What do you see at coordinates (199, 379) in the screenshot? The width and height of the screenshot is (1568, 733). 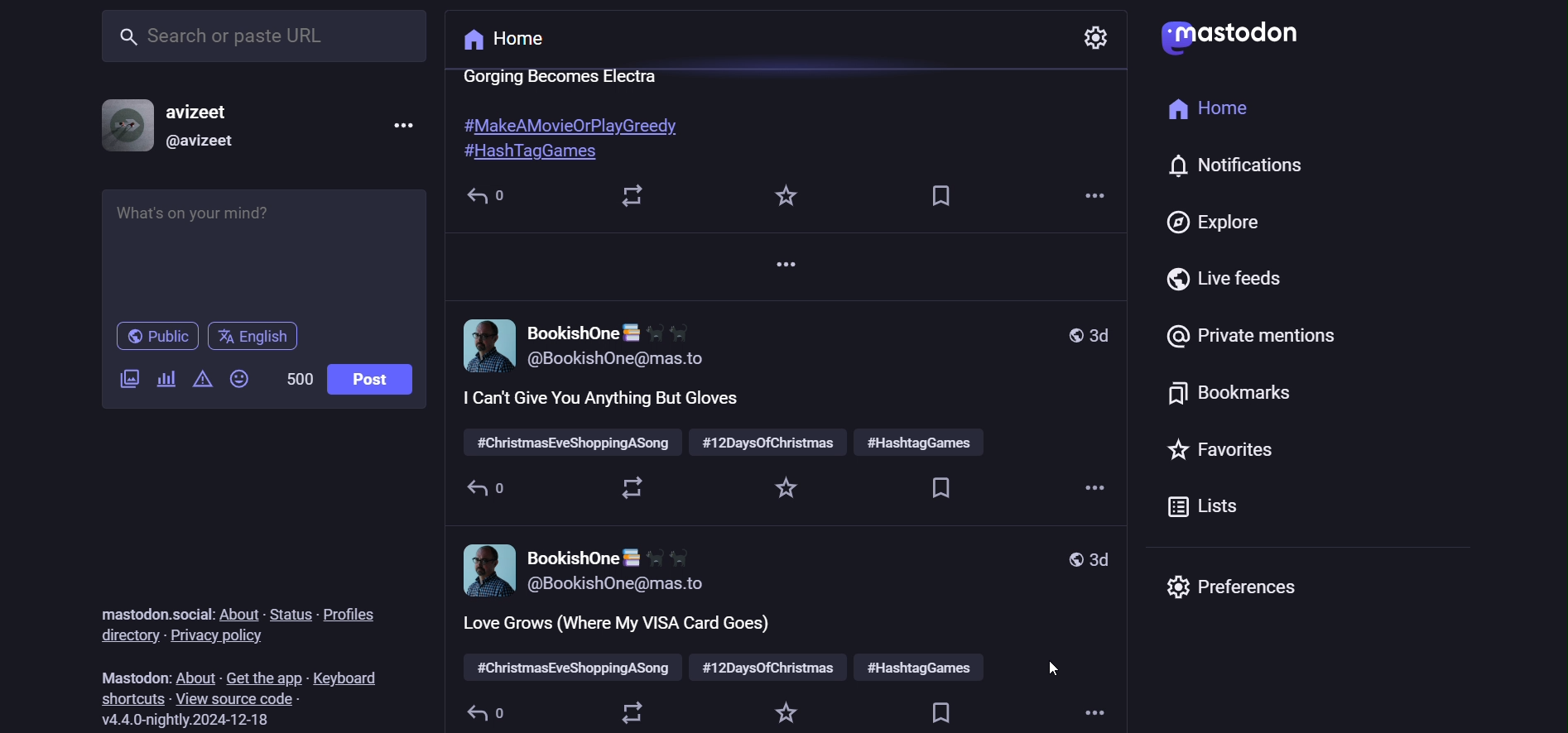 I see `content warning` at bounding box center [199, 379].